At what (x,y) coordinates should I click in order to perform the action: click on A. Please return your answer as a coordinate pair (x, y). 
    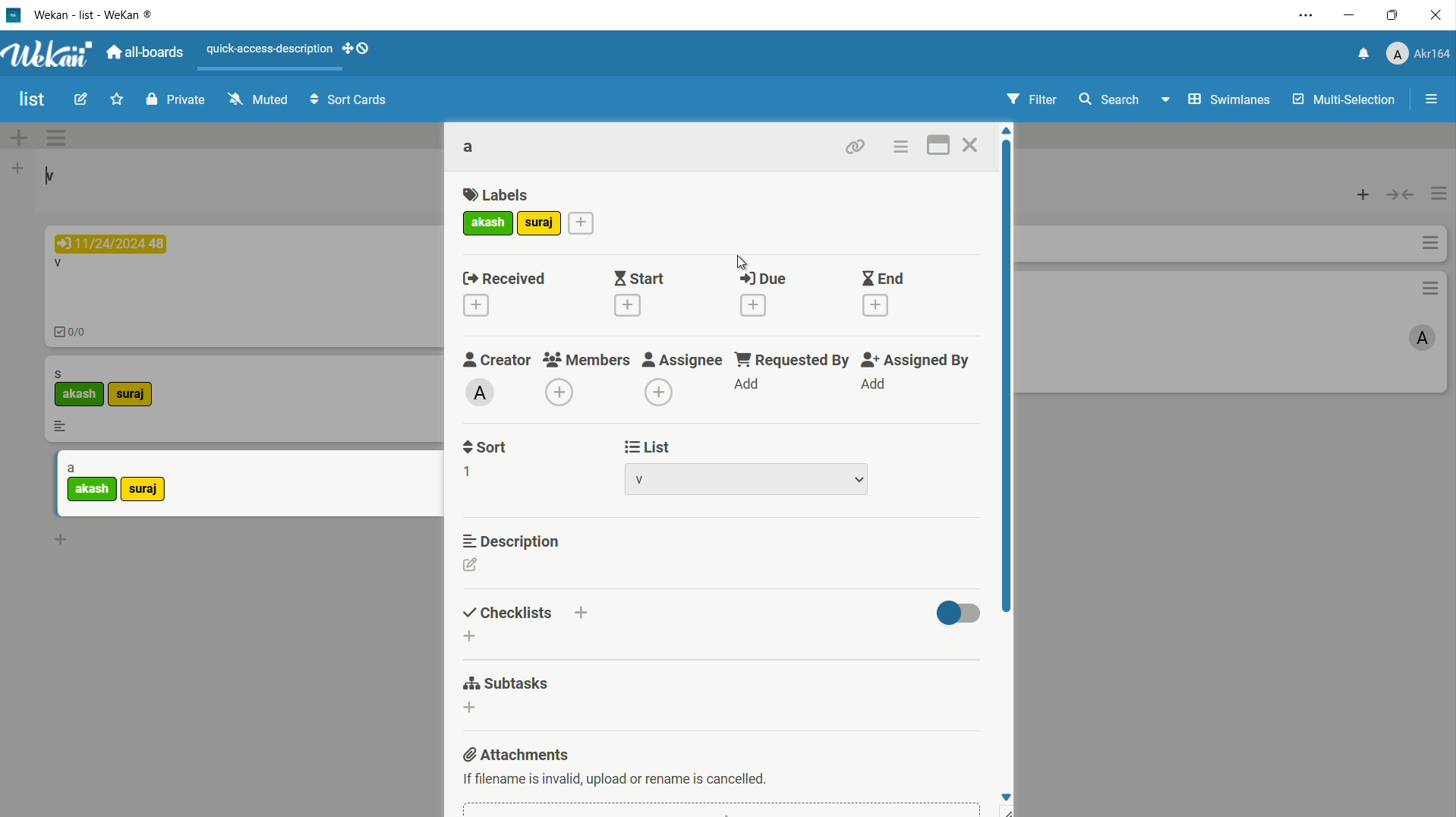
    Looking at the image, I should click on (483, 393).